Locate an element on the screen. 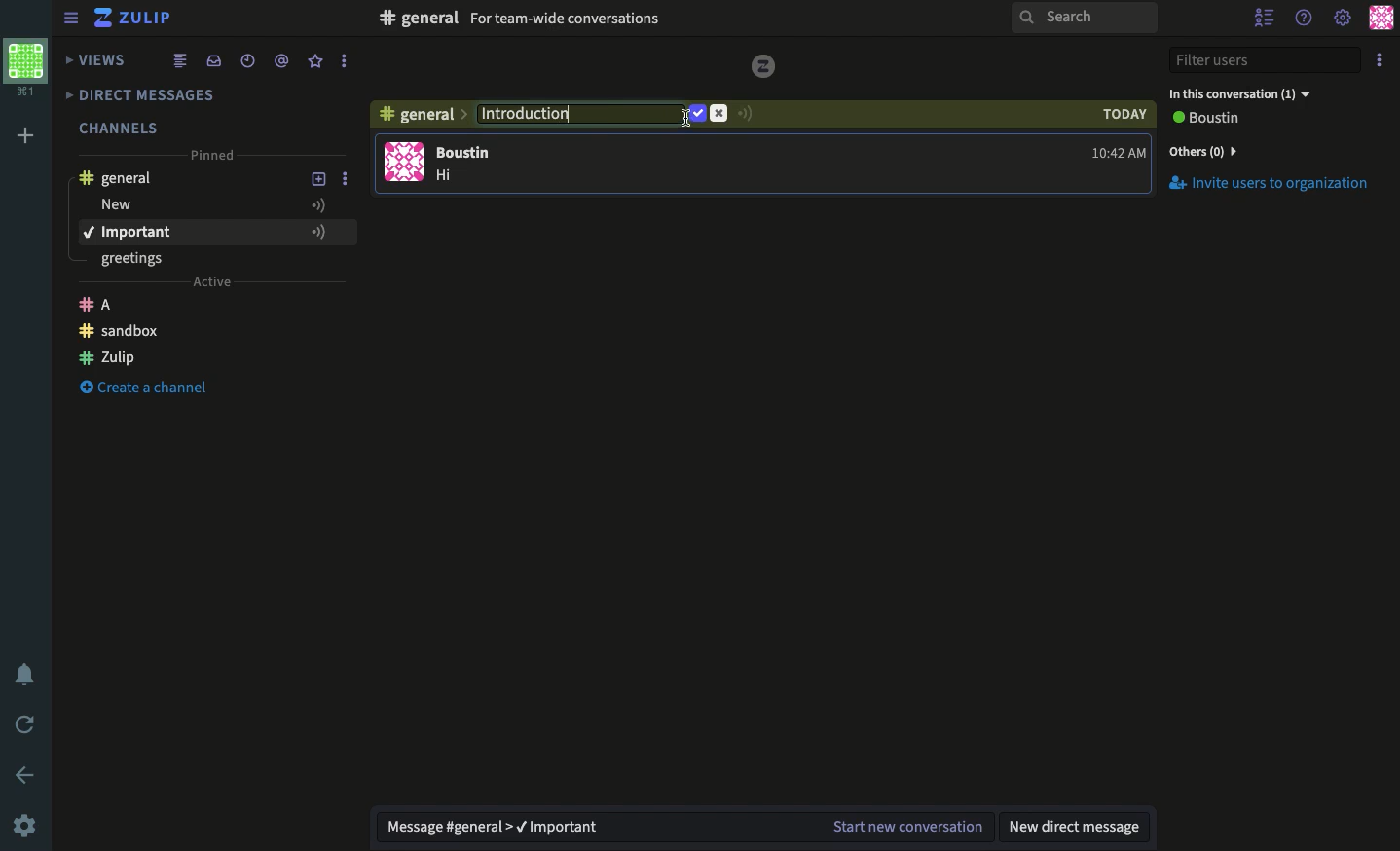  Profile is located at coordinates (1379, 19).